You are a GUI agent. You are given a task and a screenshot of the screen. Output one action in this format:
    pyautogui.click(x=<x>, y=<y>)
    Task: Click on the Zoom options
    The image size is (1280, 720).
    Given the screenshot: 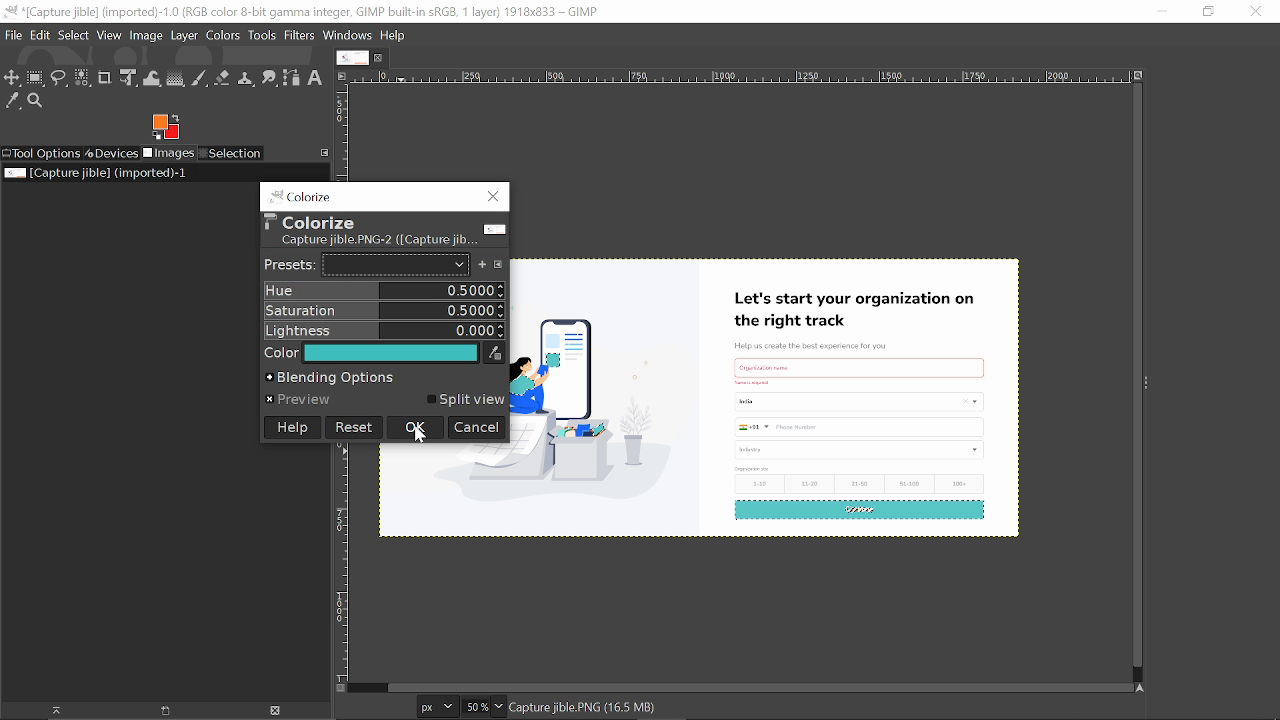 What is the action you would take?
    pyautogui.click(x=498, y=706)
    